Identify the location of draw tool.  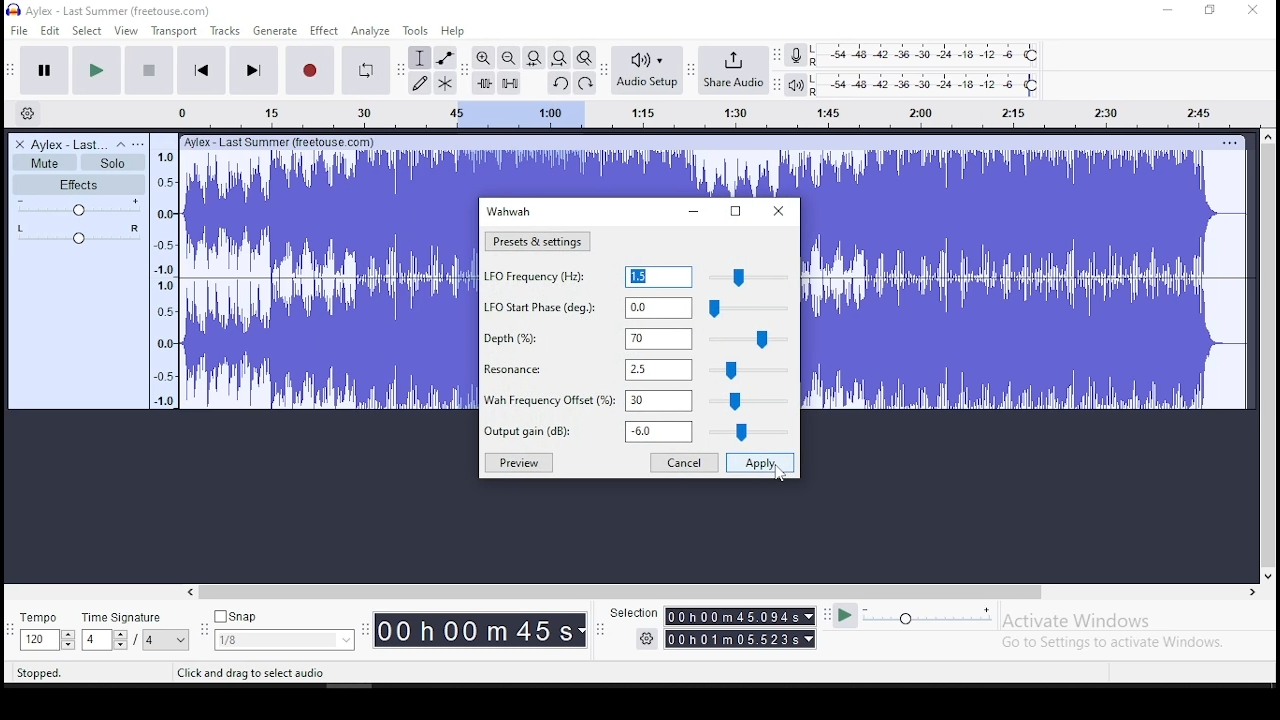
(418, 83).